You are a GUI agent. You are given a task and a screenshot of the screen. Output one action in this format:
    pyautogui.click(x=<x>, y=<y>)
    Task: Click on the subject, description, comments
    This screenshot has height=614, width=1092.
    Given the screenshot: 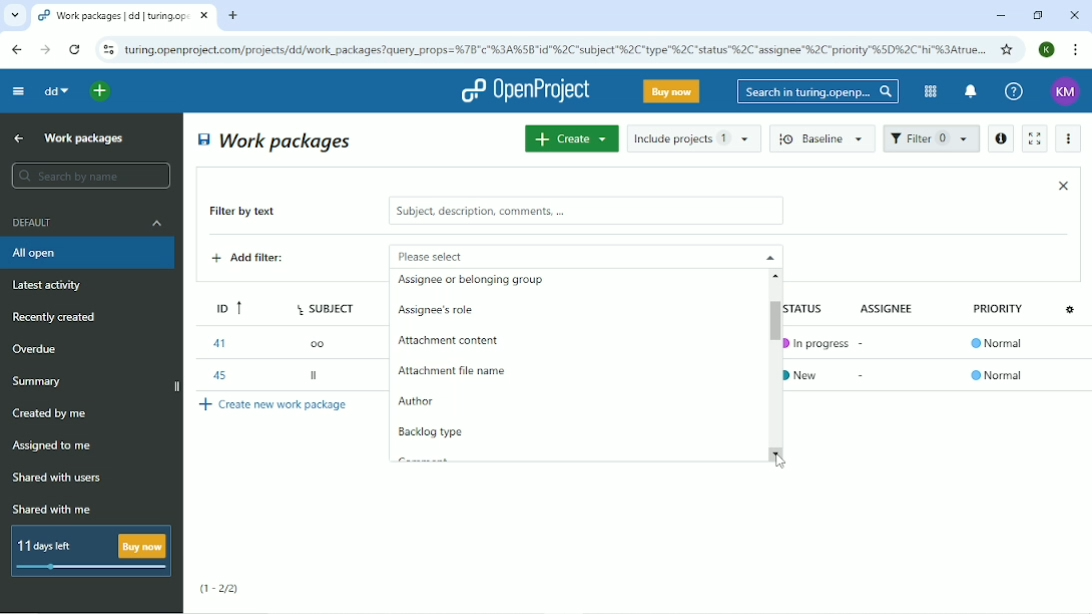 What is the action you would take?
    pyautogui.click(x=585, y=211)
    